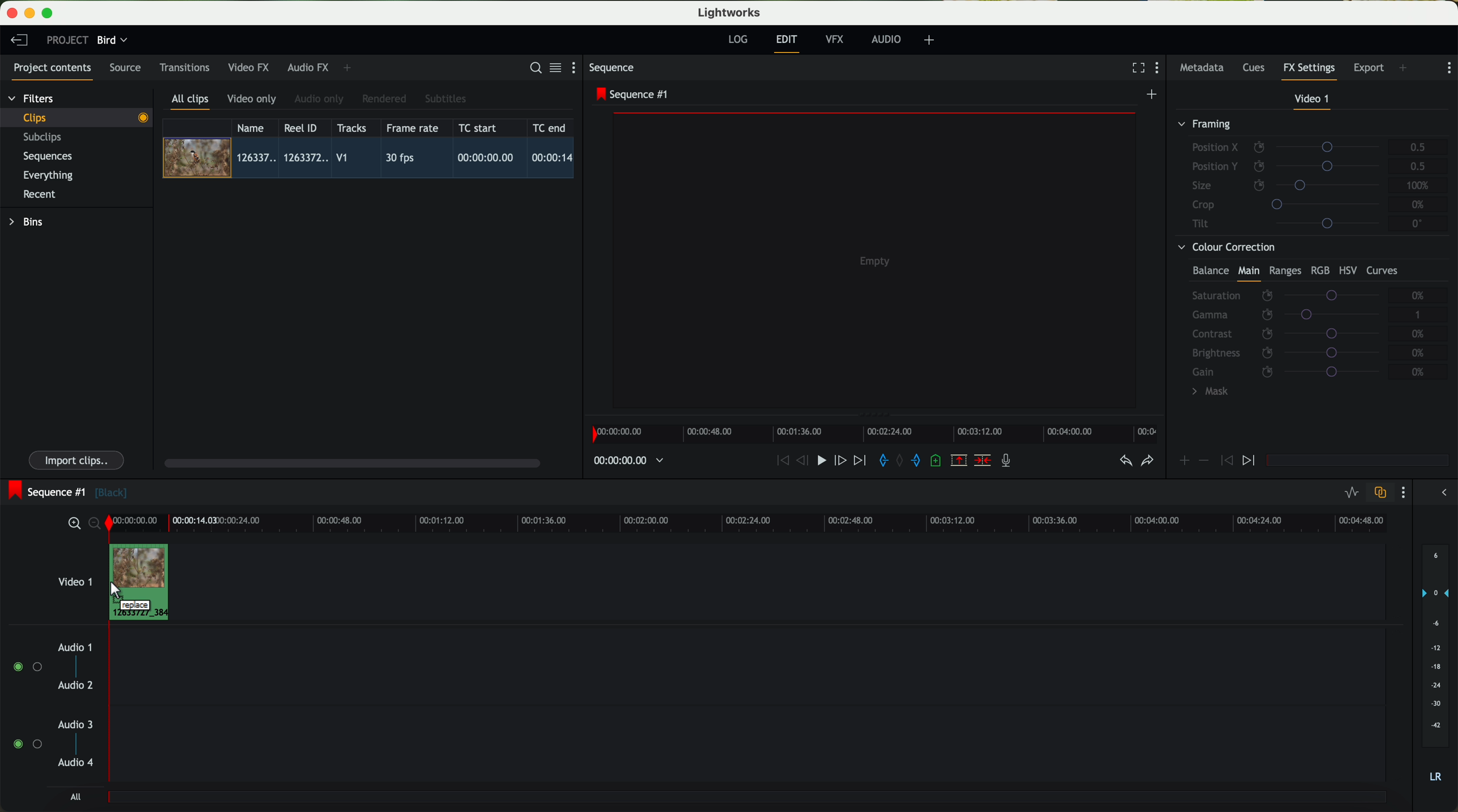  Describe the element at coordinates (1378, 493) in the screenshot. I see `toggle auto track sync` at that location.